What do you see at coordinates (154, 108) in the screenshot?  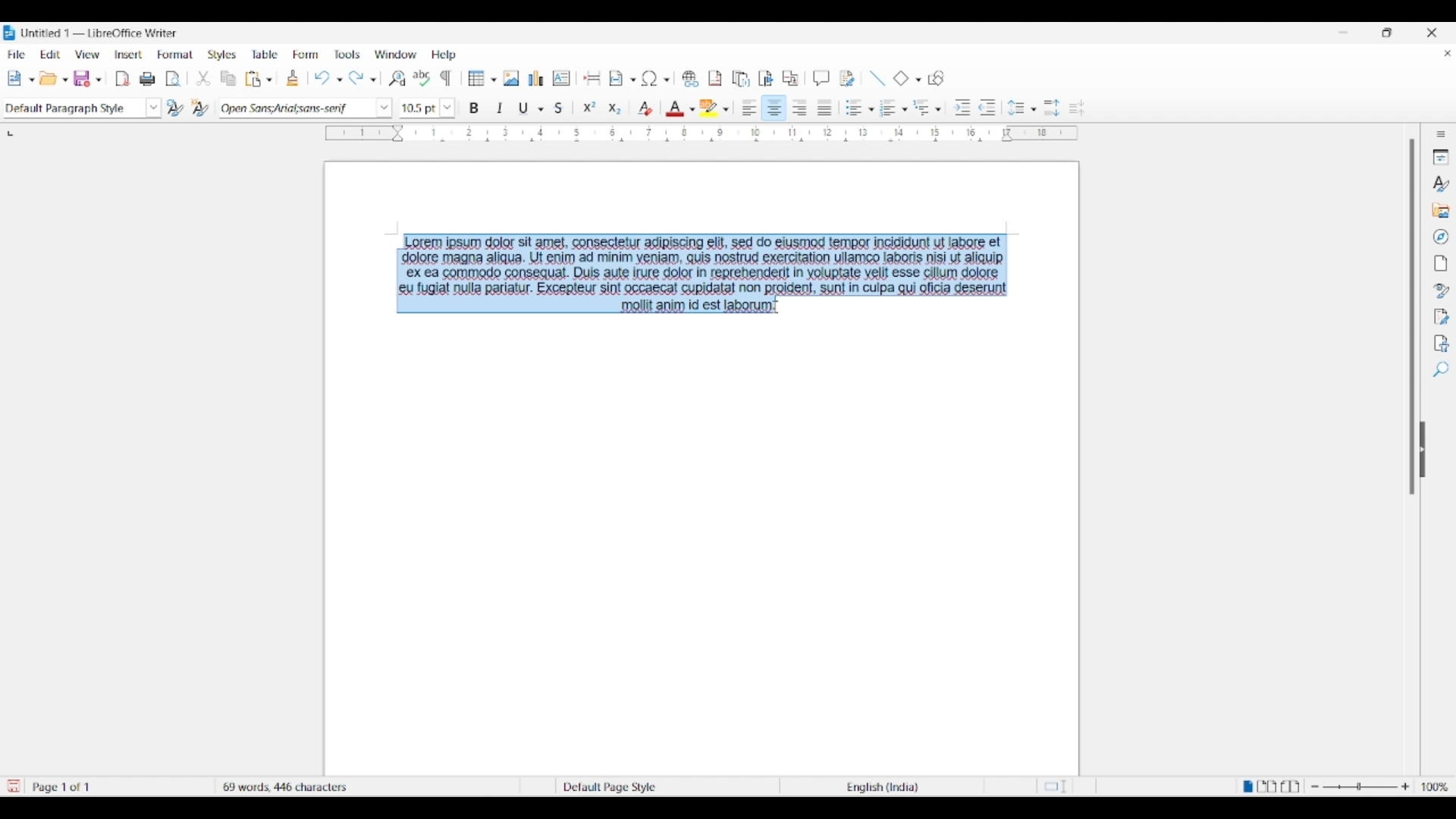 I see `Paragraph style options` at bounding box center [154, 108].